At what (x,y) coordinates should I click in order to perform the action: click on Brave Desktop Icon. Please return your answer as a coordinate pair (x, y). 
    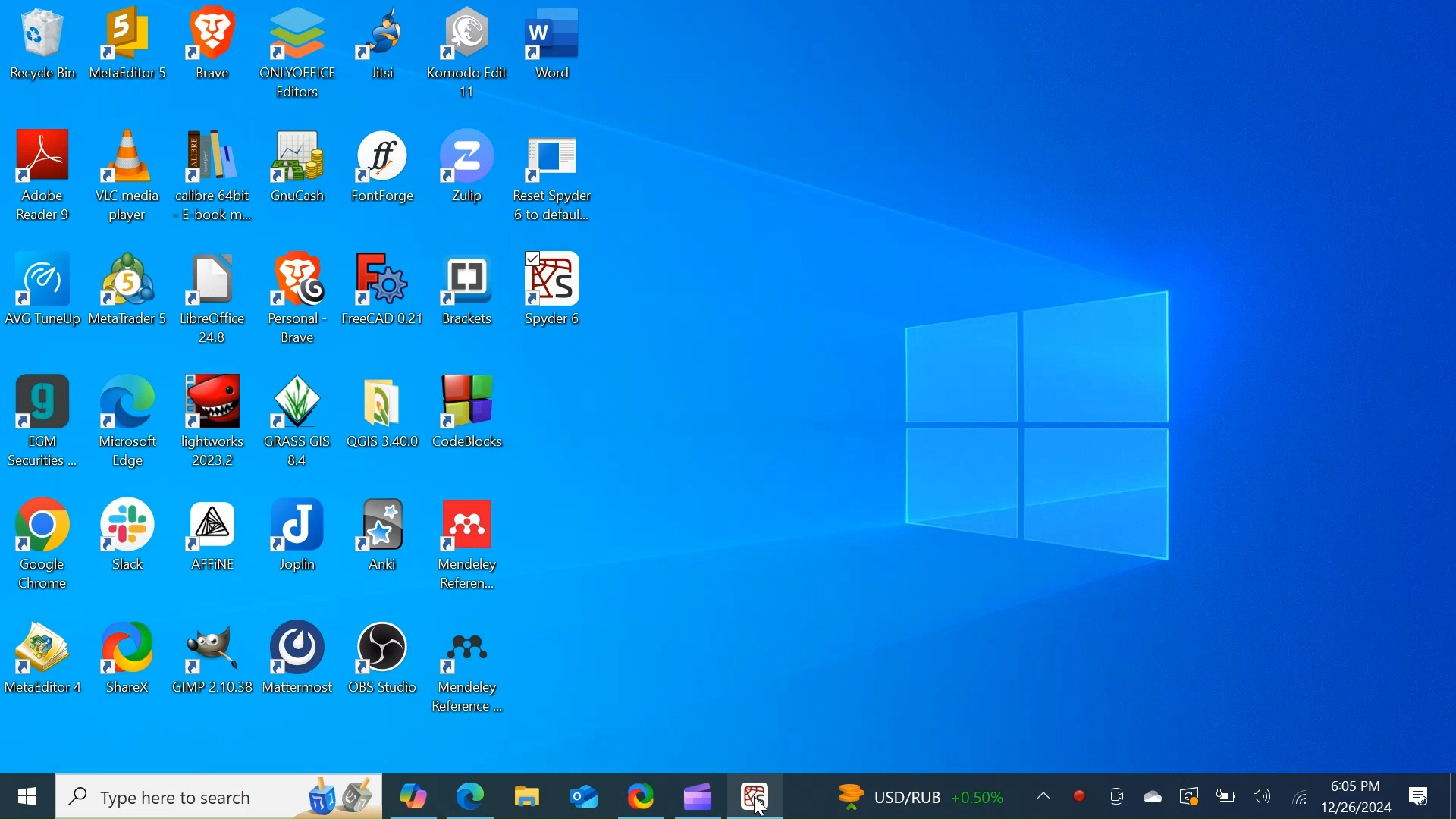
    Looking at the image, I should click on (298, 300).